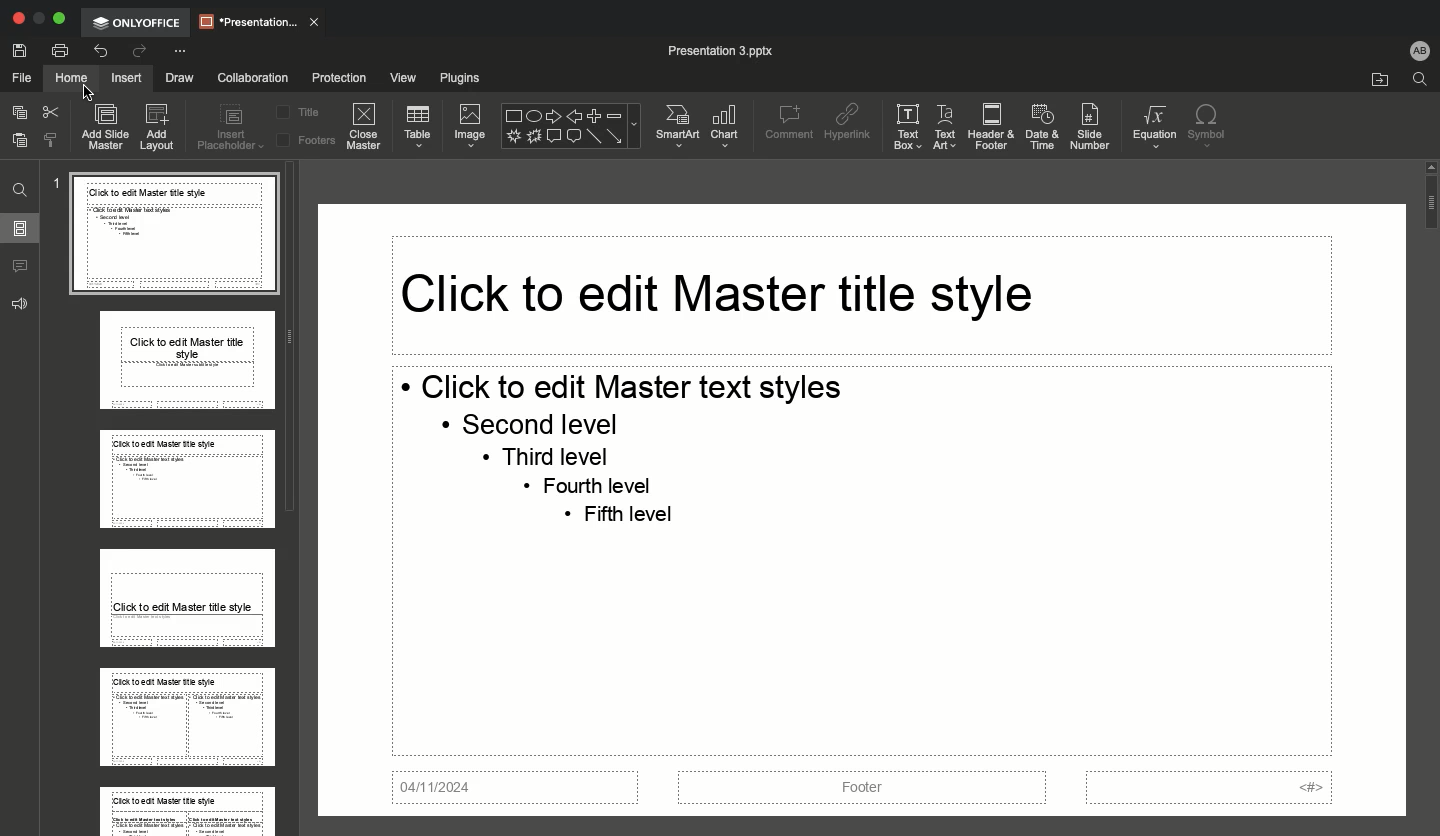 The width and height of the screenshot is (1440, 836). Describe the element at coordinates (513, 136) in the screenshot. I see `Explosion 1` at that location.